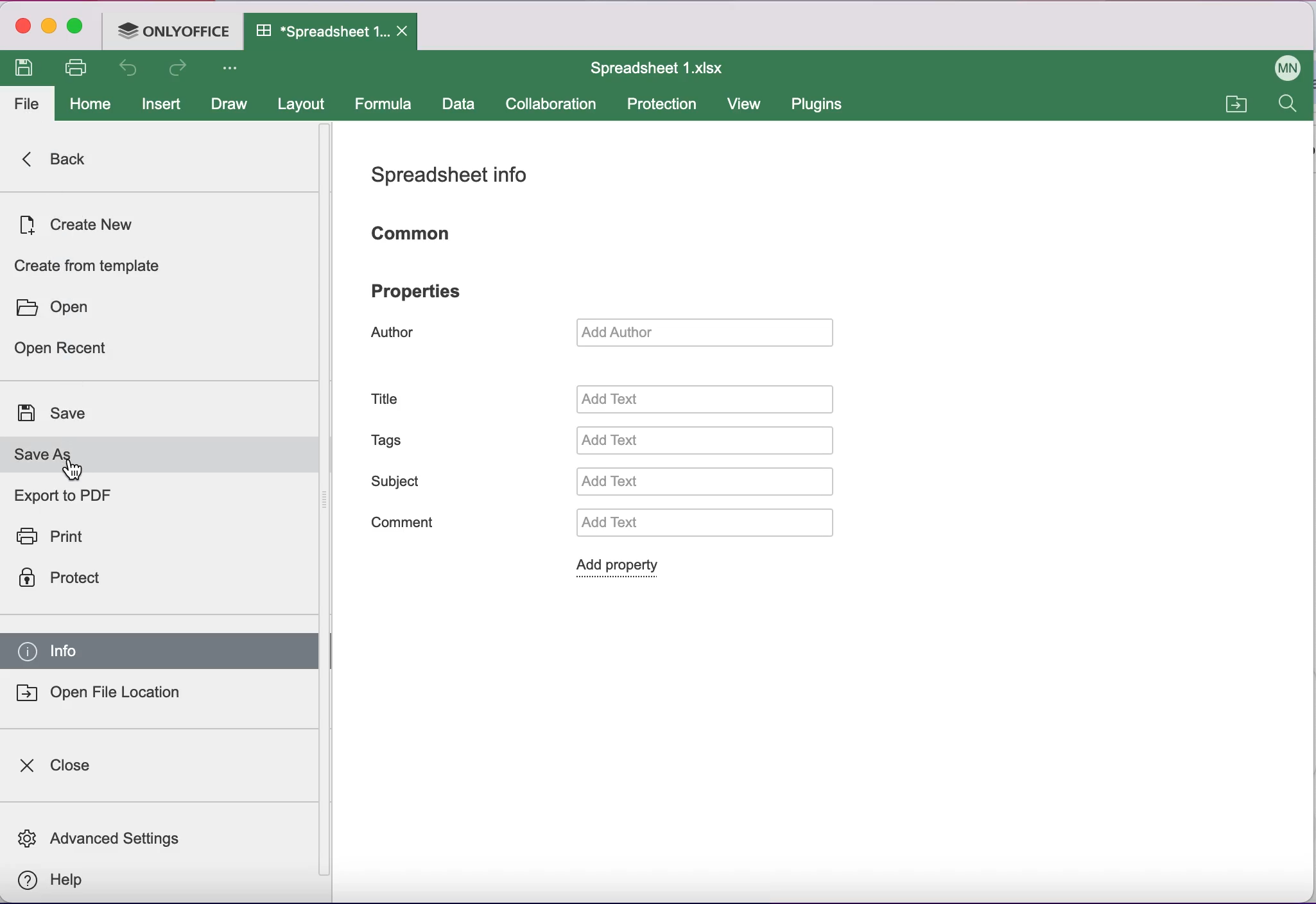  Describe the element at coordinates (414, 523) in the screenshot. I see `comment` at that location.